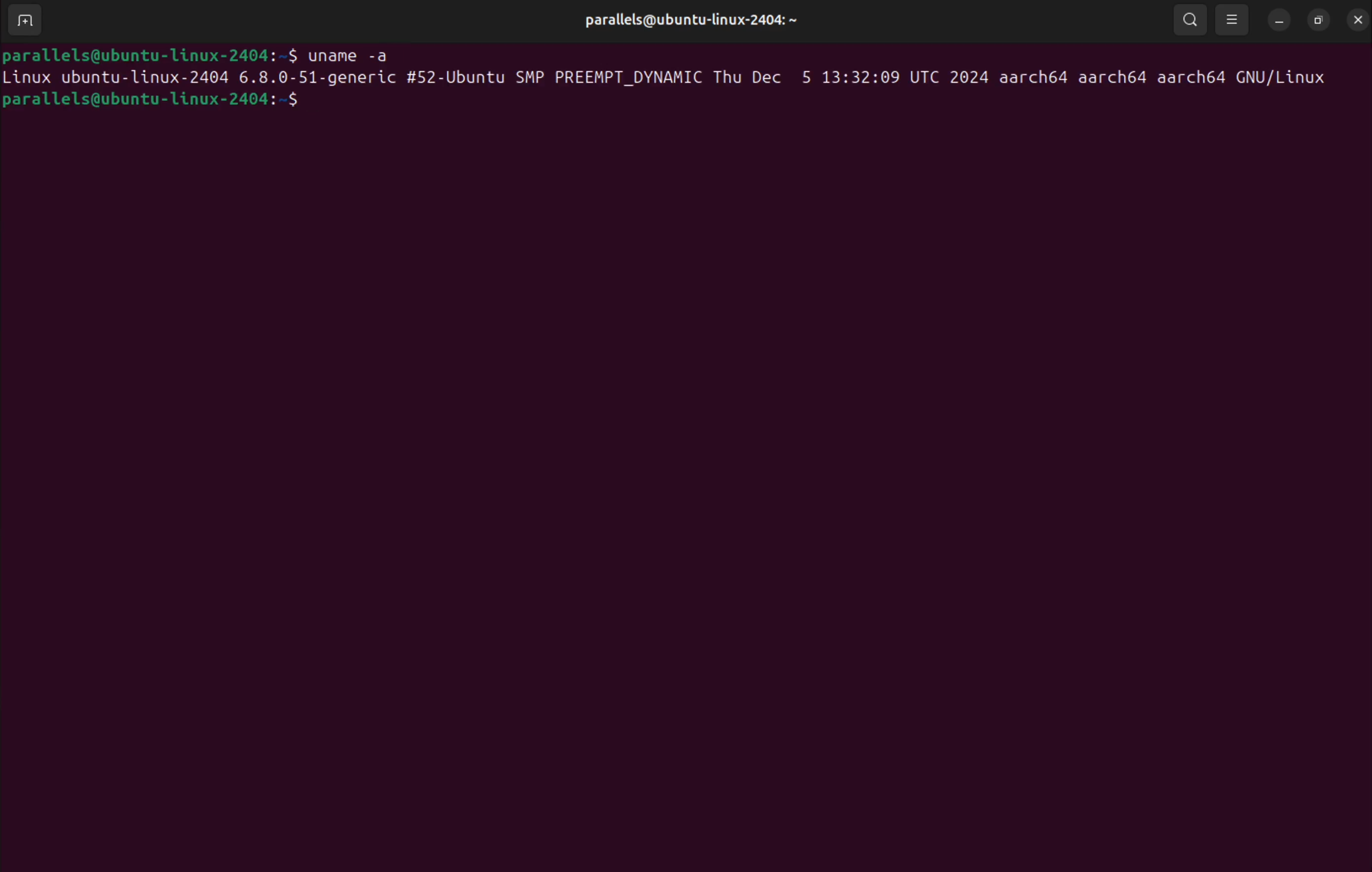 This screenshot has height=872, width=1372. What do you see at coordinates (357, 55) in the screenshot?
I see `uname -a` at bounding box center [357, 55].